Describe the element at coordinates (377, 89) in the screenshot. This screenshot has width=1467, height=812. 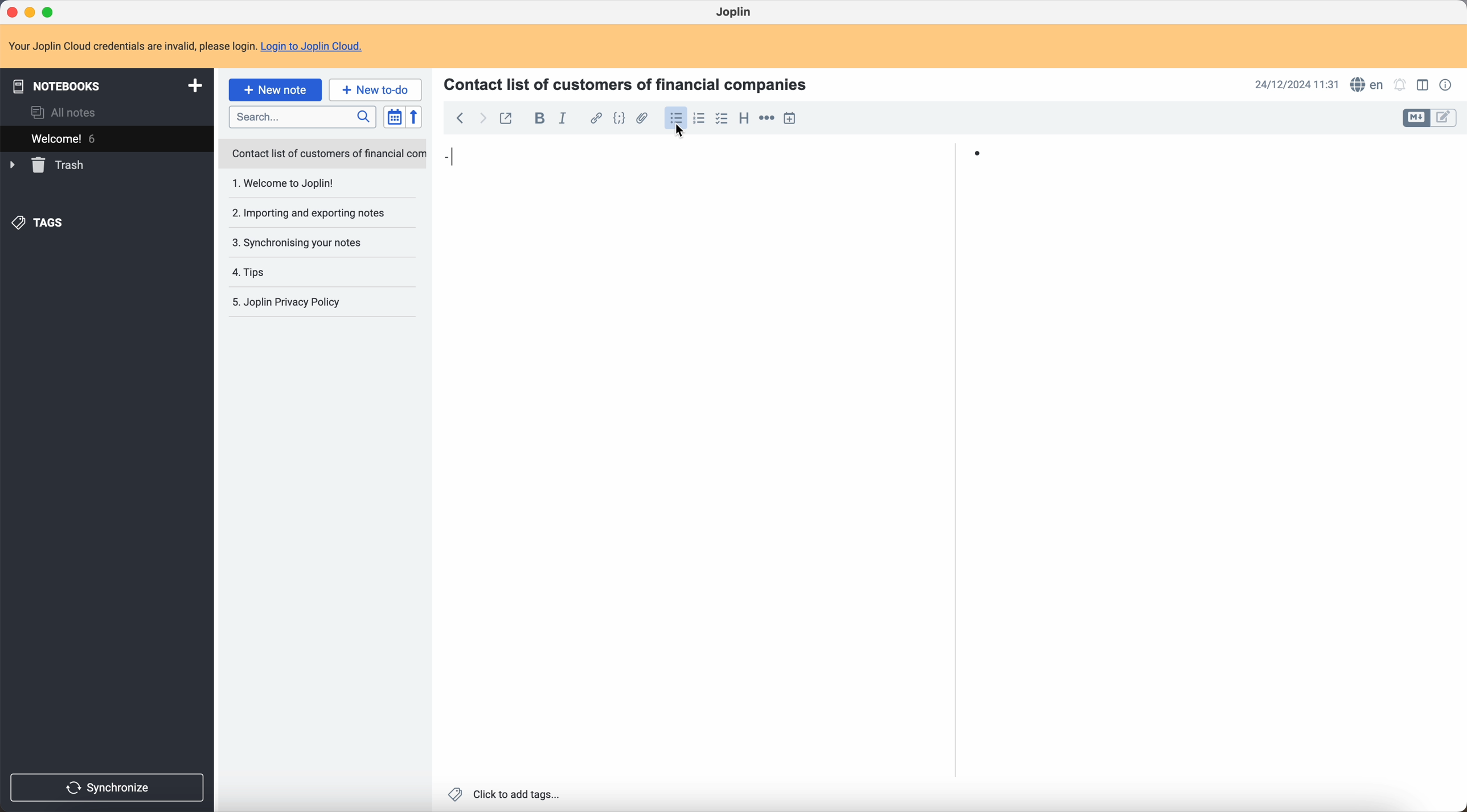
I see `new to-do` at that location.